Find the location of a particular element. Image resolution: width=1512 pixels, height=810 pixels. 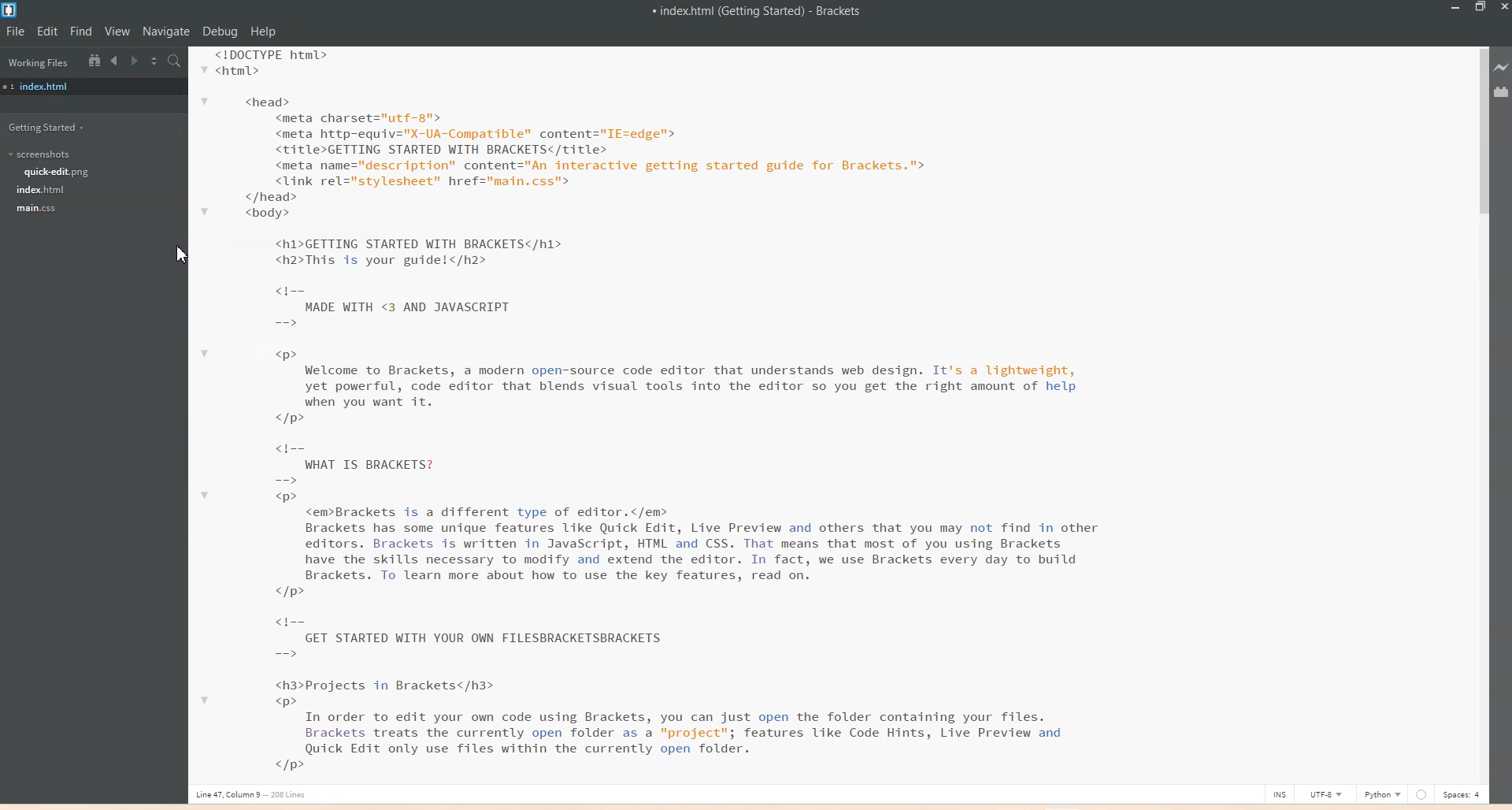

Split the editor vertically or Horizontally is located at coordinates (155, 61).